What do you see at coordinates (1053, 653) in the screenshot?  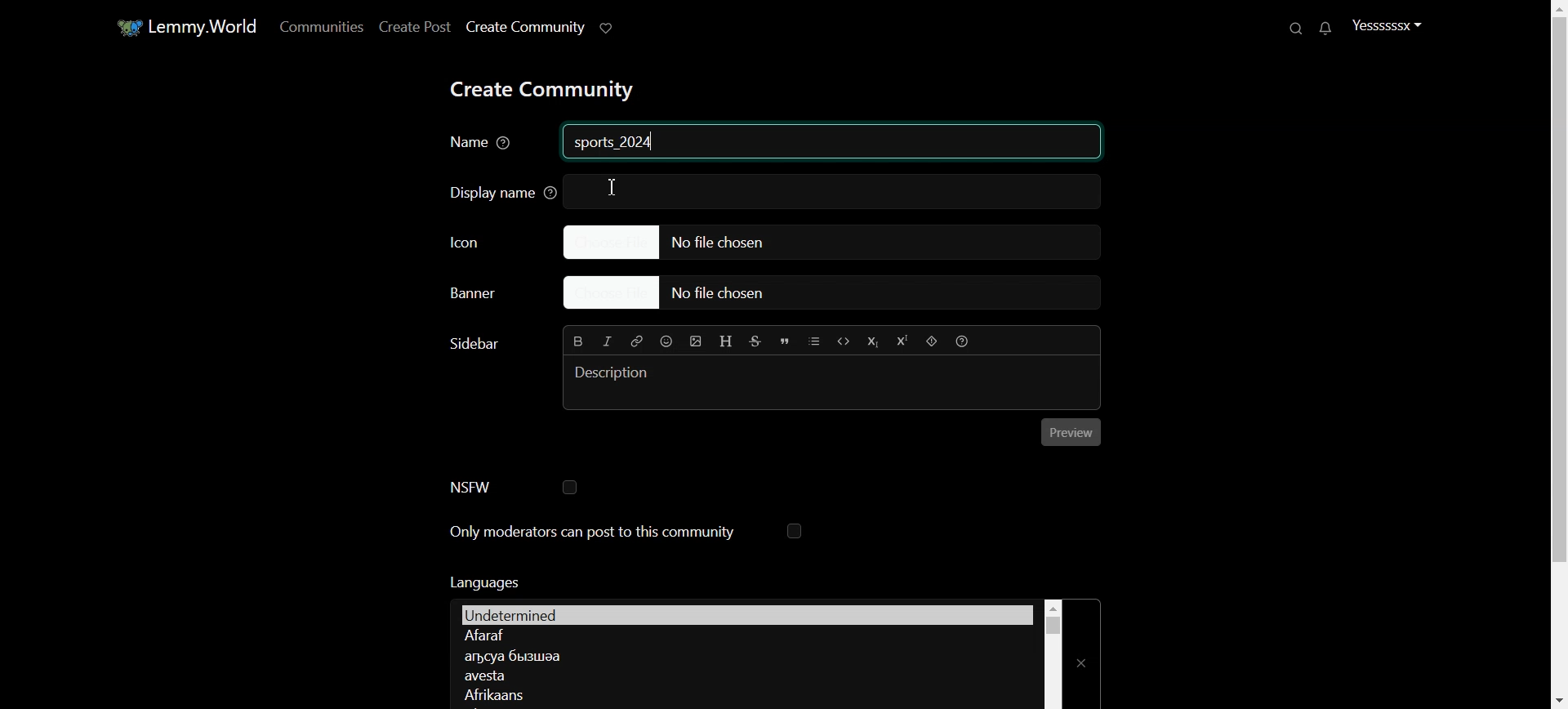 I see `Vertical scroll bar` at bounding box center [1053, 653].